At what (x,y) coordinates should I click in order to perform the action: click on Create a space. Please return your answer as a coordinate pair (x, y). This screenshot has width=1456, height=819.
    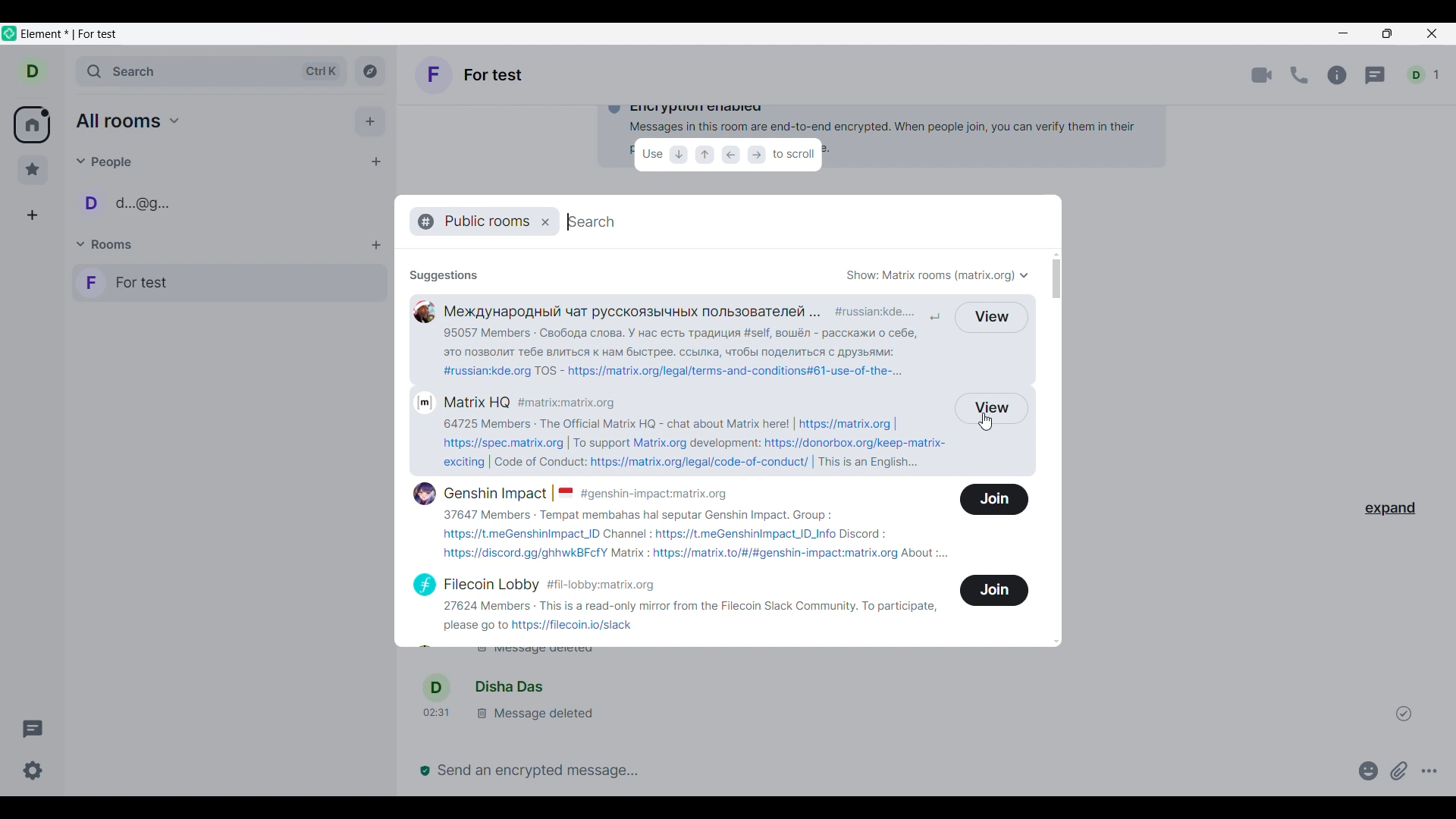
    Looking at the image, I should click on (32, 215).